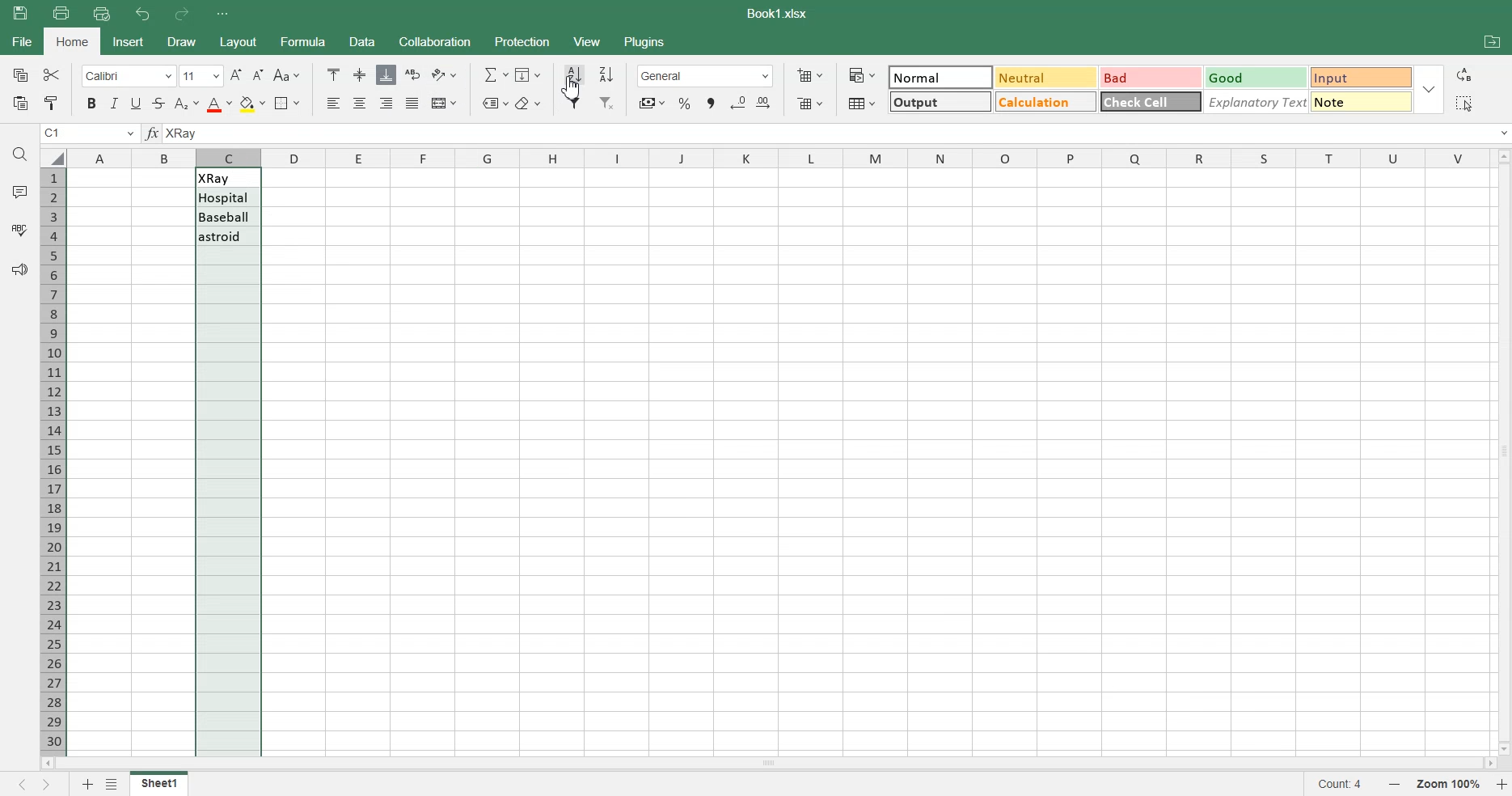 This screenshot has width=1512, height=796. What do you see at coordinates (712, 104) in the screenshot?
I see `Comma Style` at bounding box center [712, 104].